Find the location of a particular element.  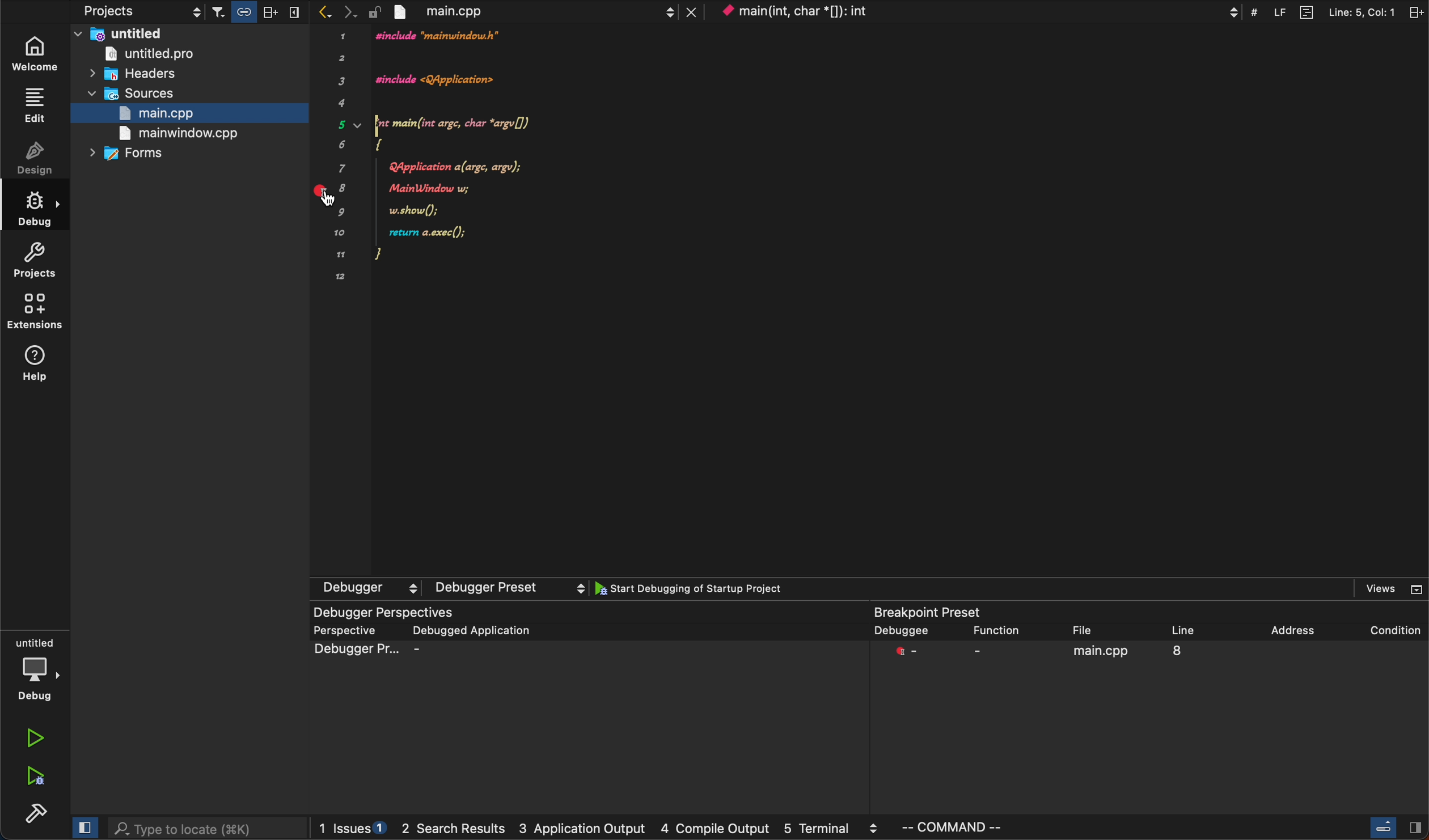

projects is located at coordinates (39, 258).